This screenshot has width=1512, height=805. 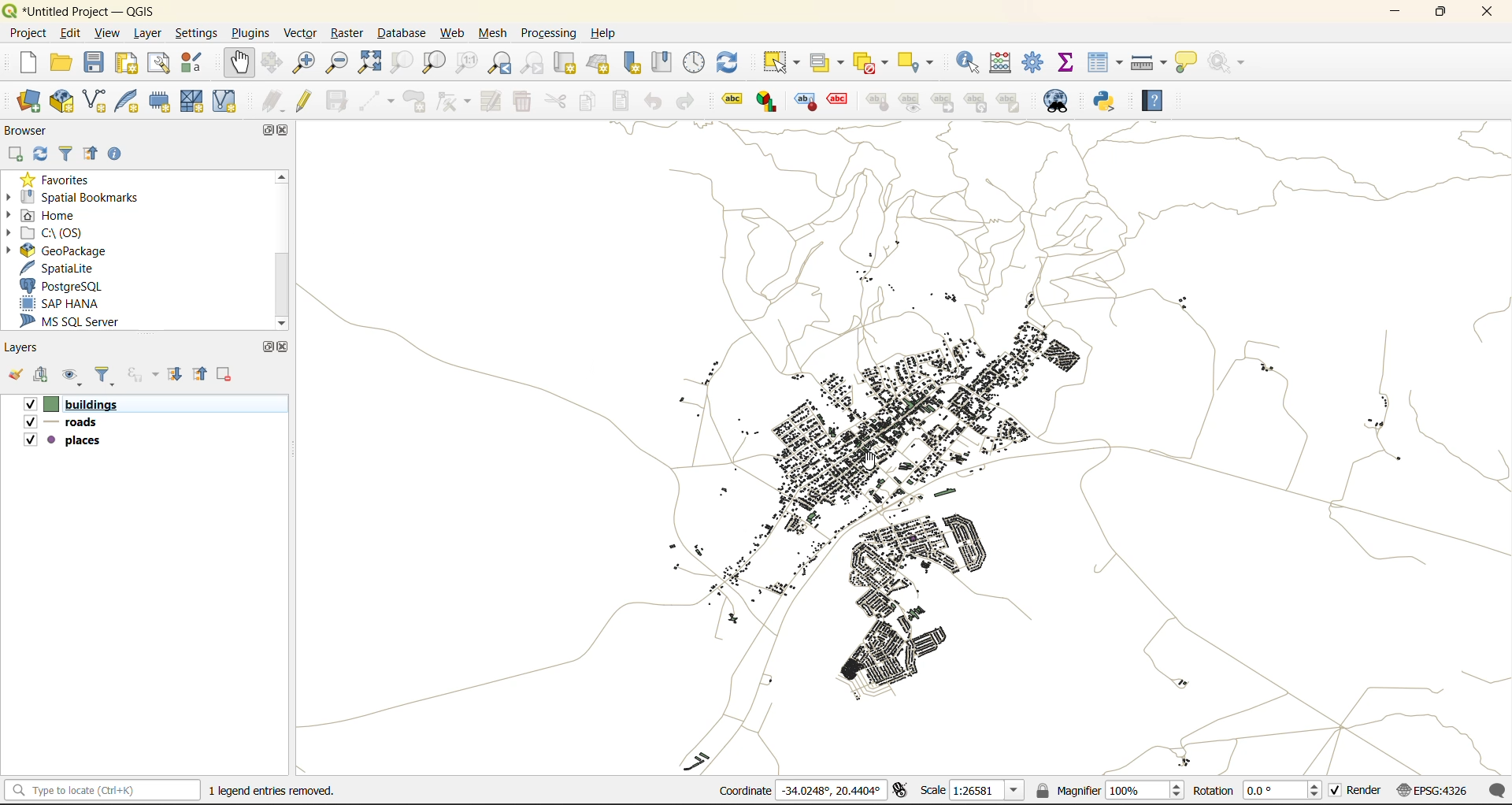 I want to click on raster, so click(x=347, y=33).